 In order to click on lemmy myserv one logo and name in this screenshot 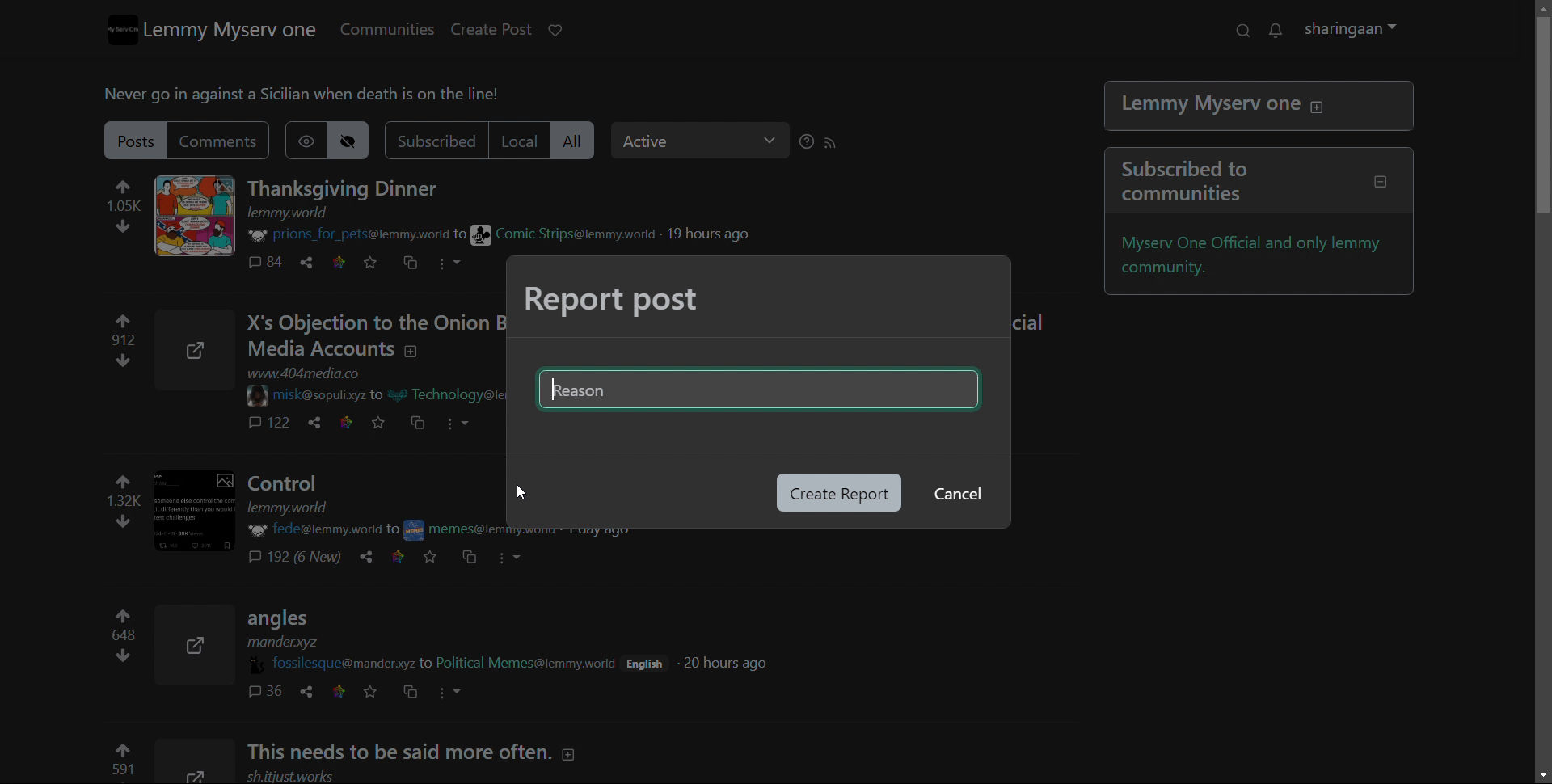, I will do `click(222, 30)`.